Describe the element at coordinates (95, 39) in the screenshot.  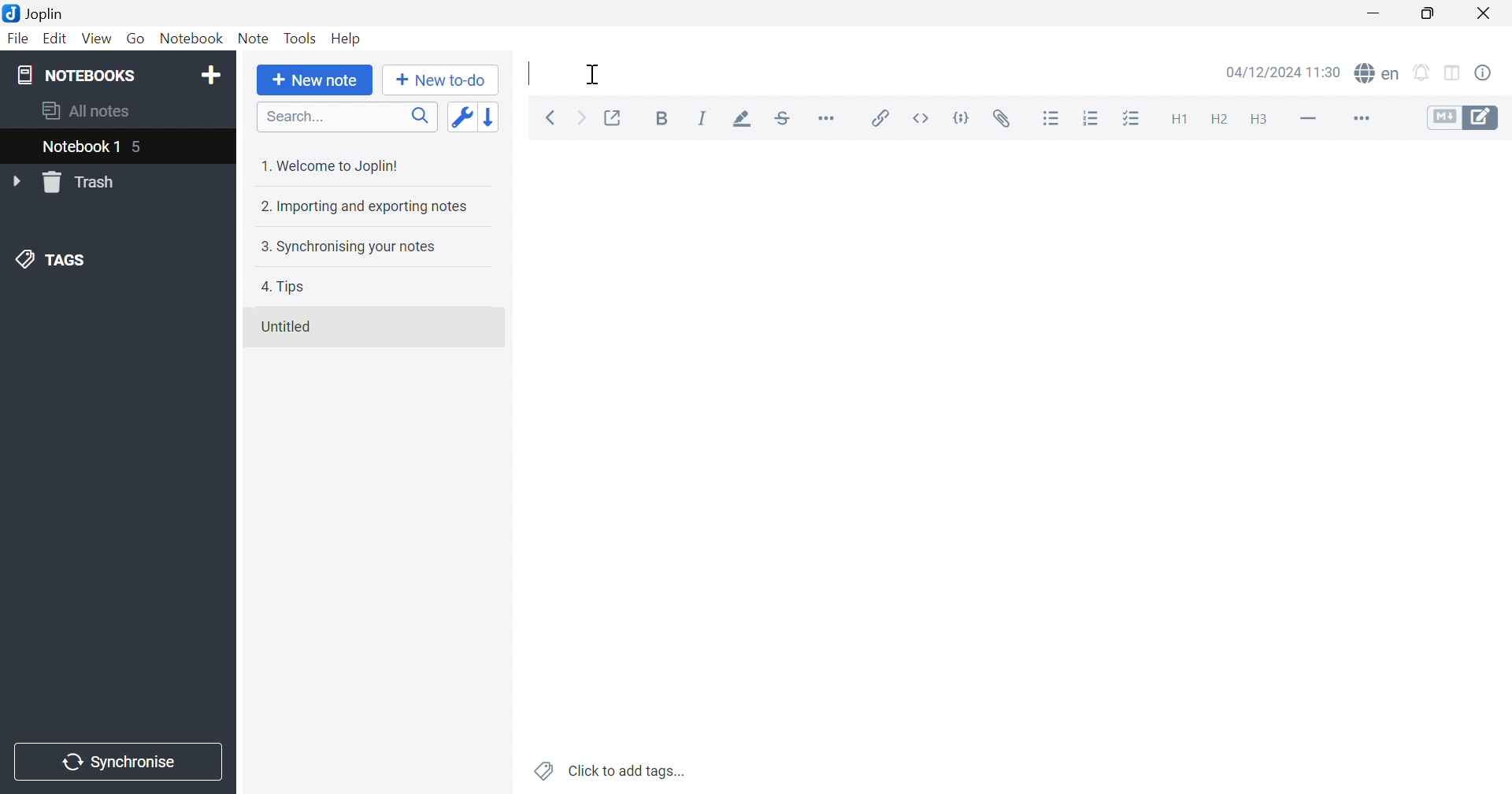
I see `View` at that location.